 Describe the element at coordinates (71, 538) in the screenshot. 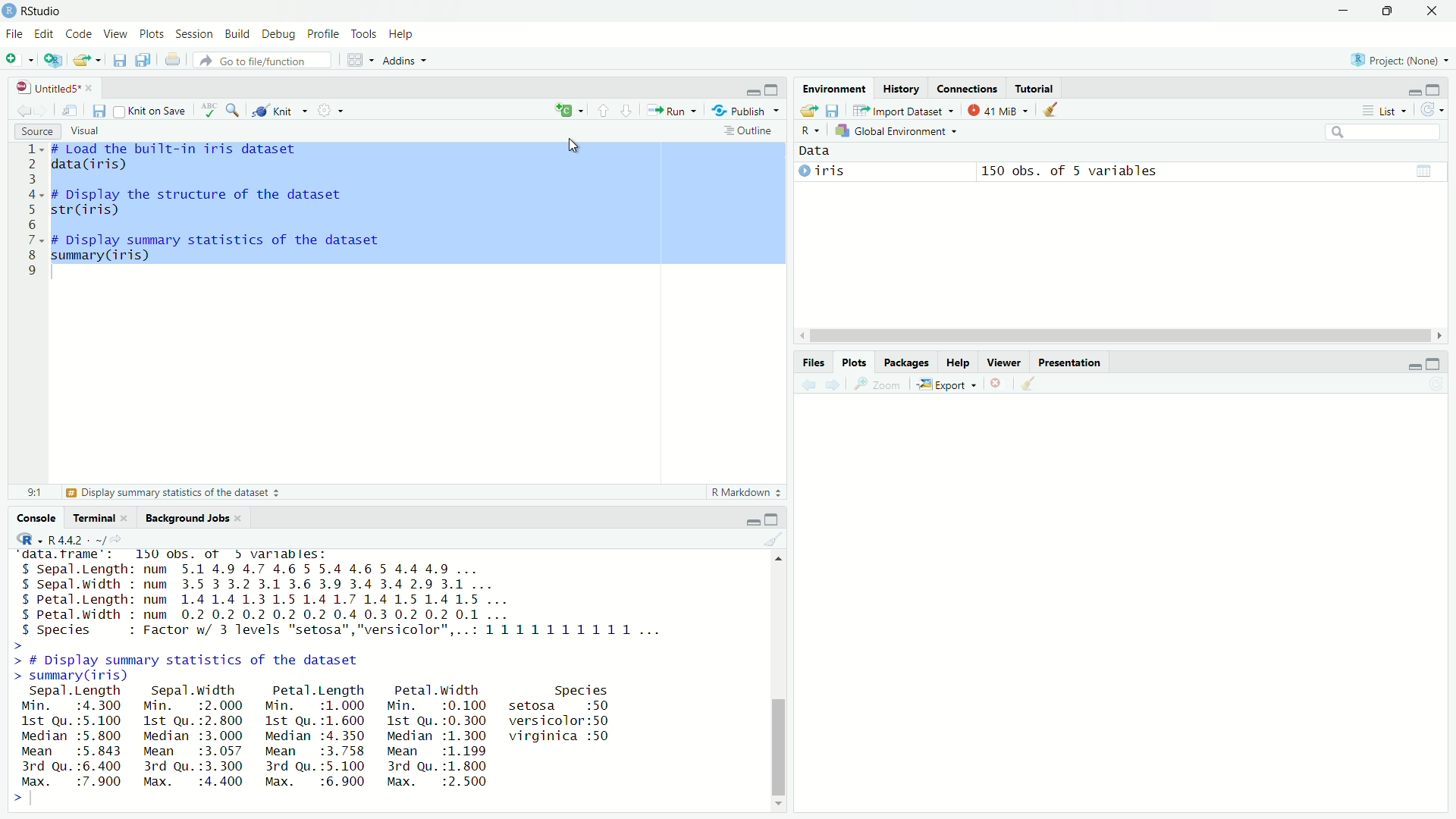

I see `R 4.4.2 - ~/` at that location.